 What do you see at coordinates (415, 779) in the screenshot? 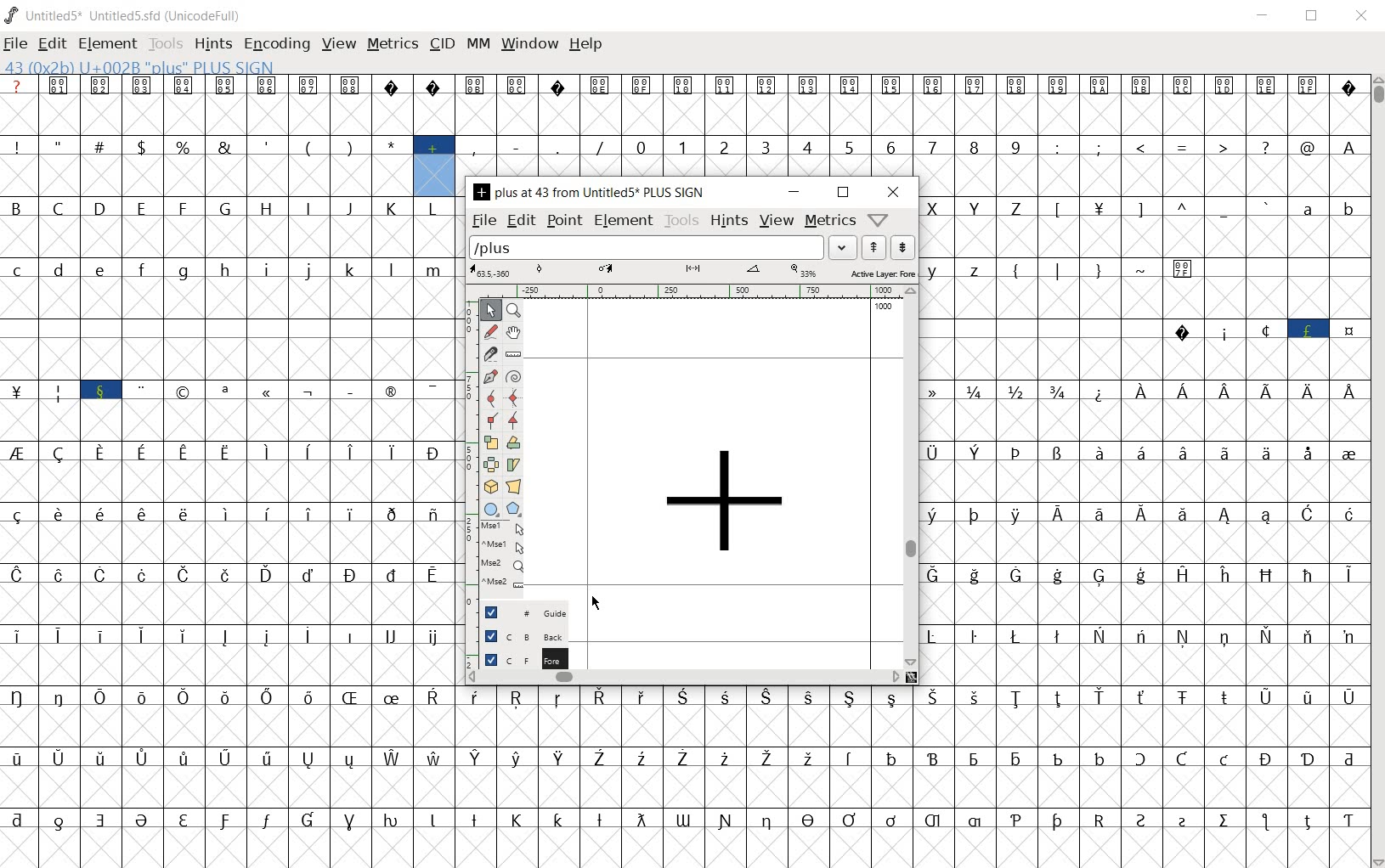
I see `accented letters` at bounding box center [415, 779].